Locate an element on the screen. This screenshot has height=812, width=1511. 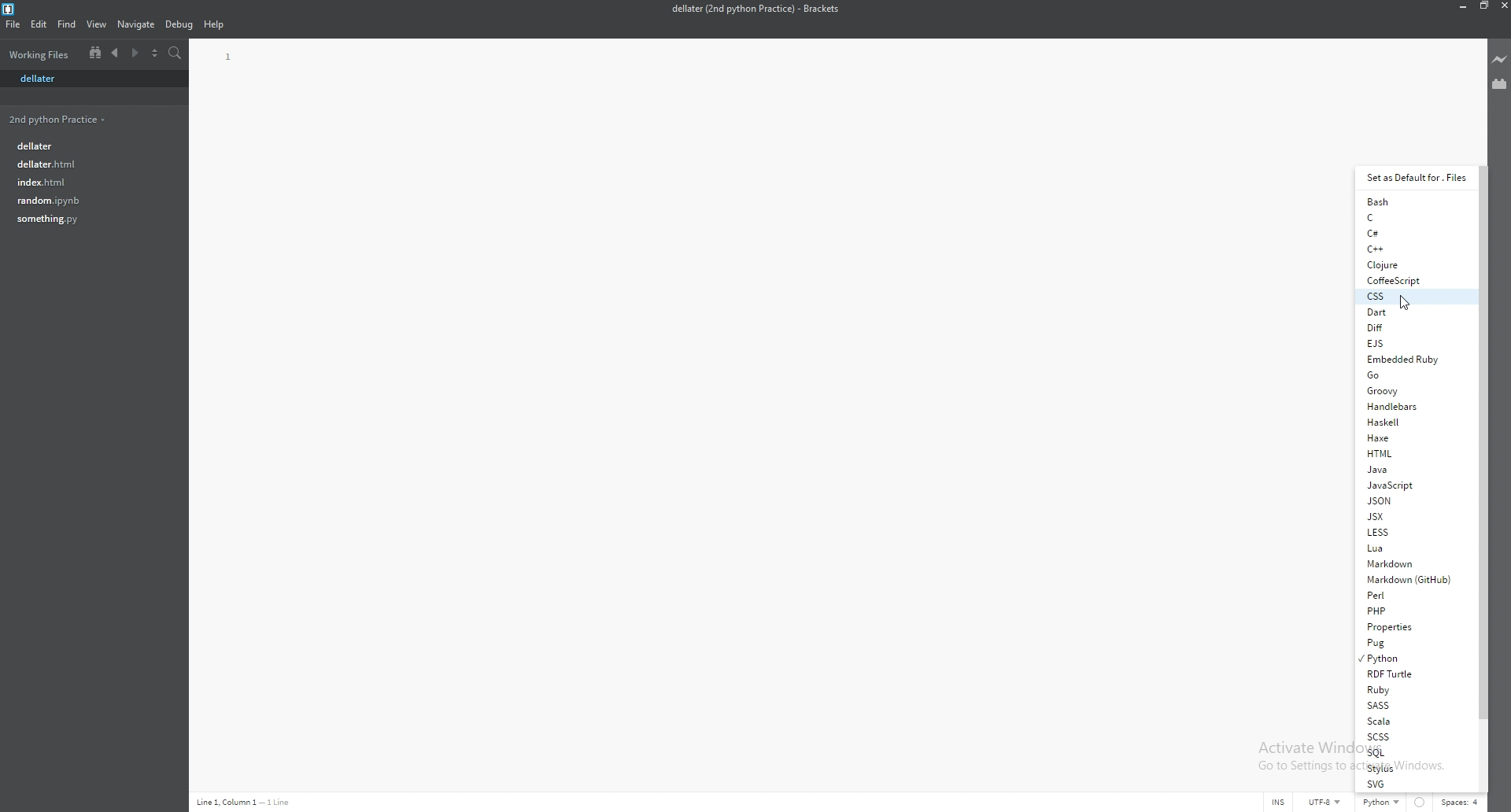
sql is located at coordinates (1413, 752).